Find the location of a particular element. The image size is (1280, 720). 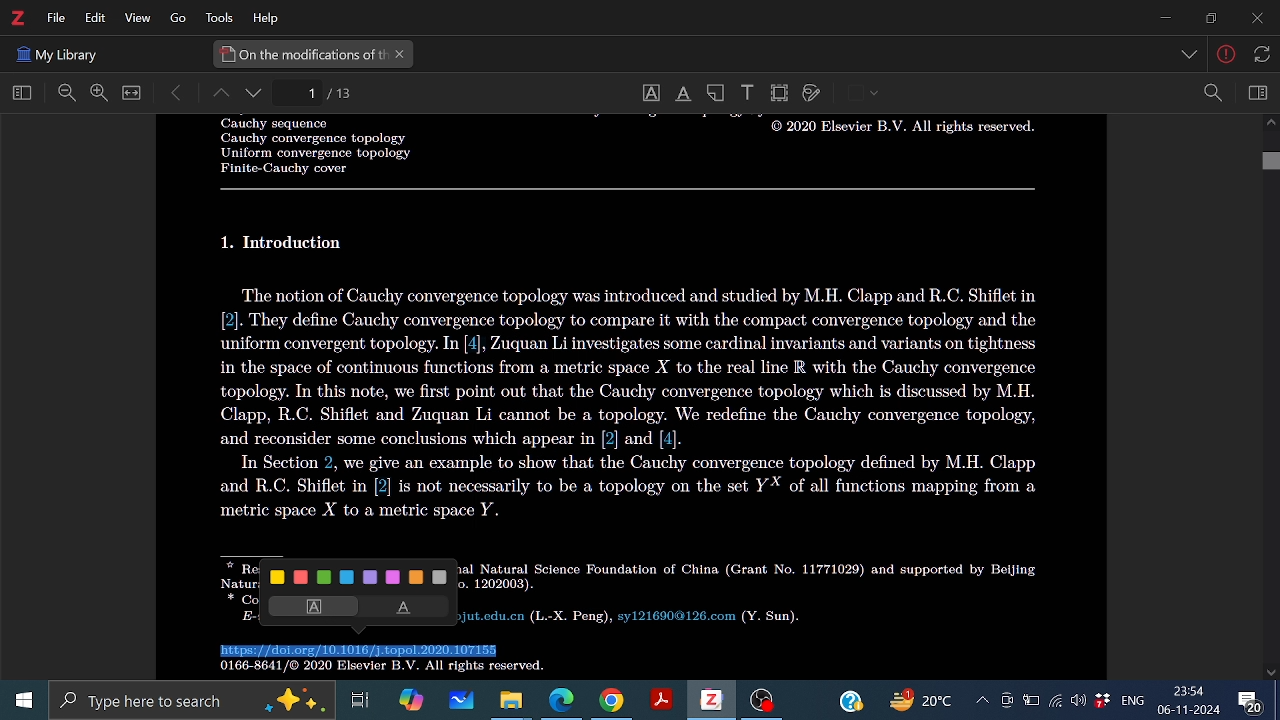

 is located at coordinates (1259, 53).